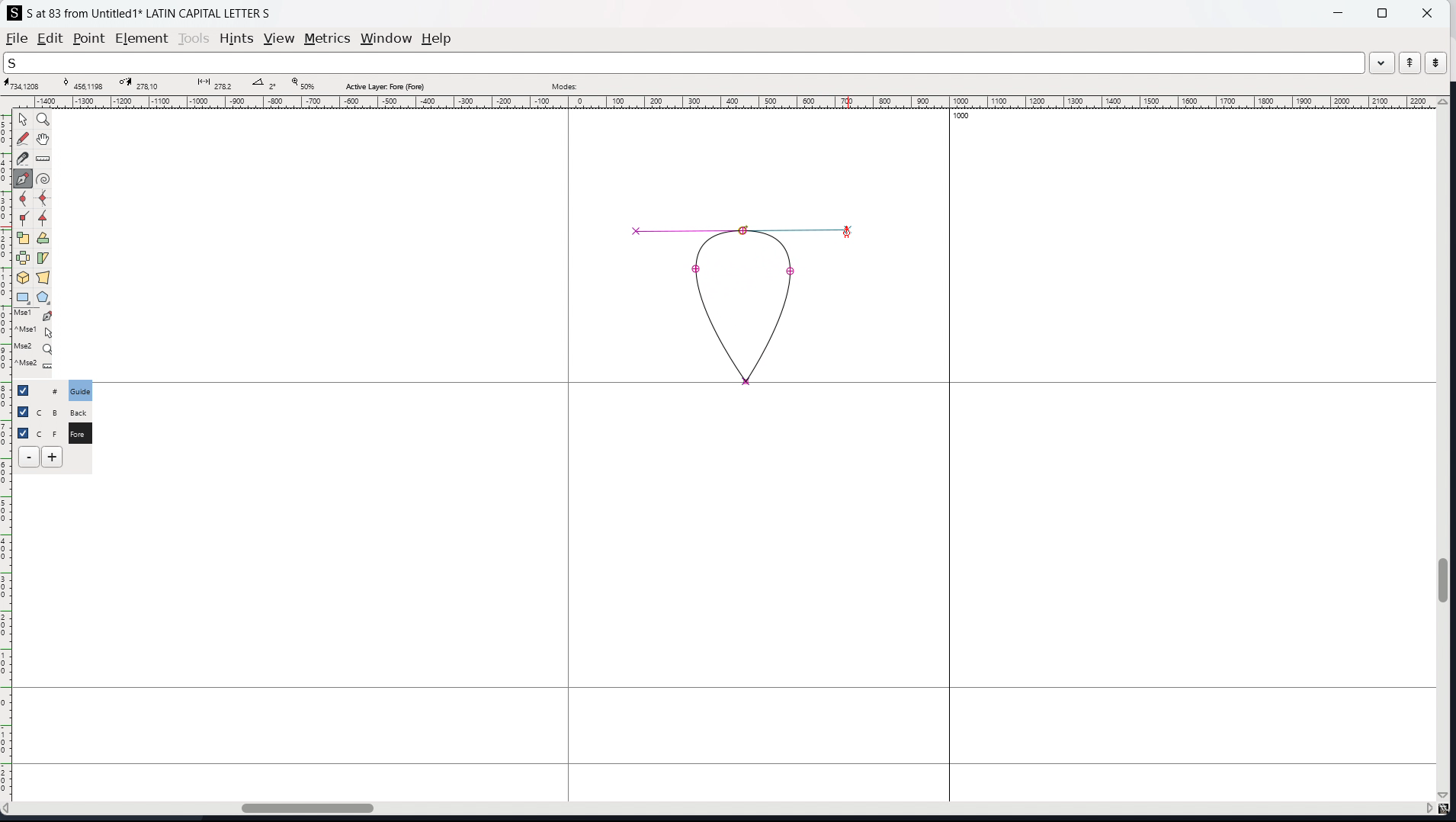 This screenshot has height=822, width=1456. What do you see at coordinates (143, 39) in the screenshot?
I see `element` at bounding box center [143, 39].